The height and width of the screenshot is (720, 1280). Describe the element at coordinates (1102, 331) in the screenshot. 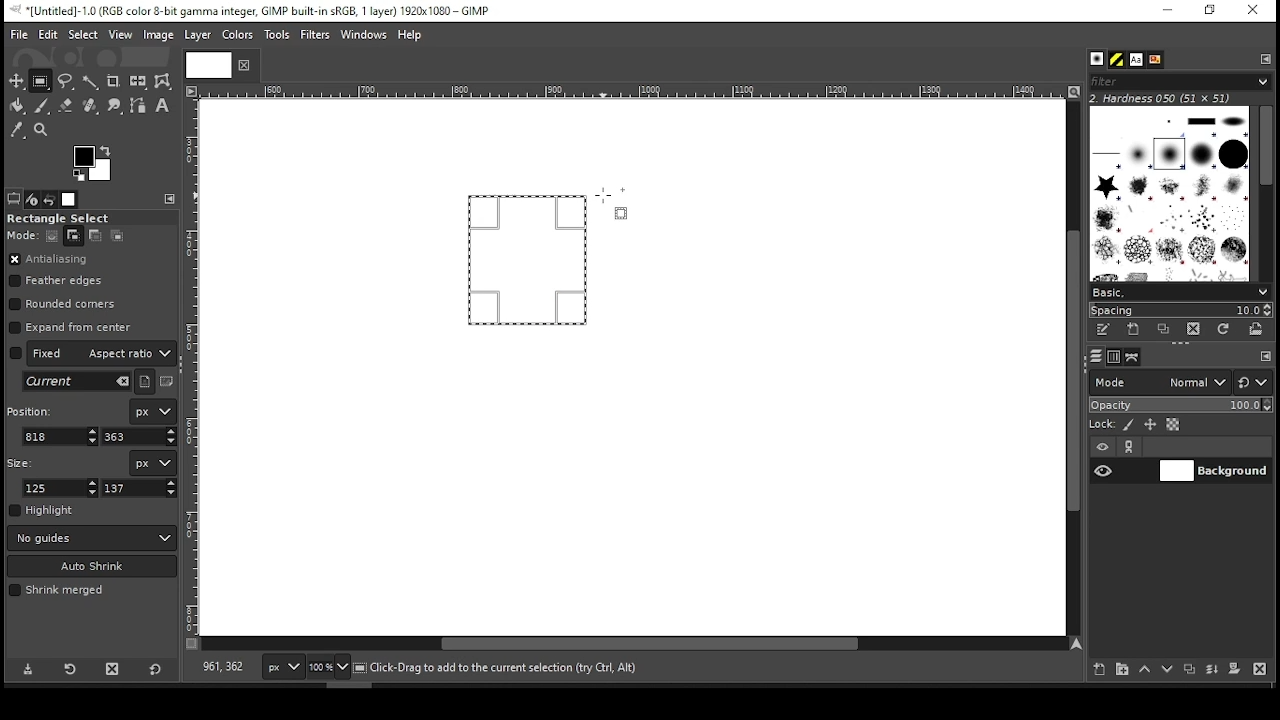

I see `edit this brush` at that location.